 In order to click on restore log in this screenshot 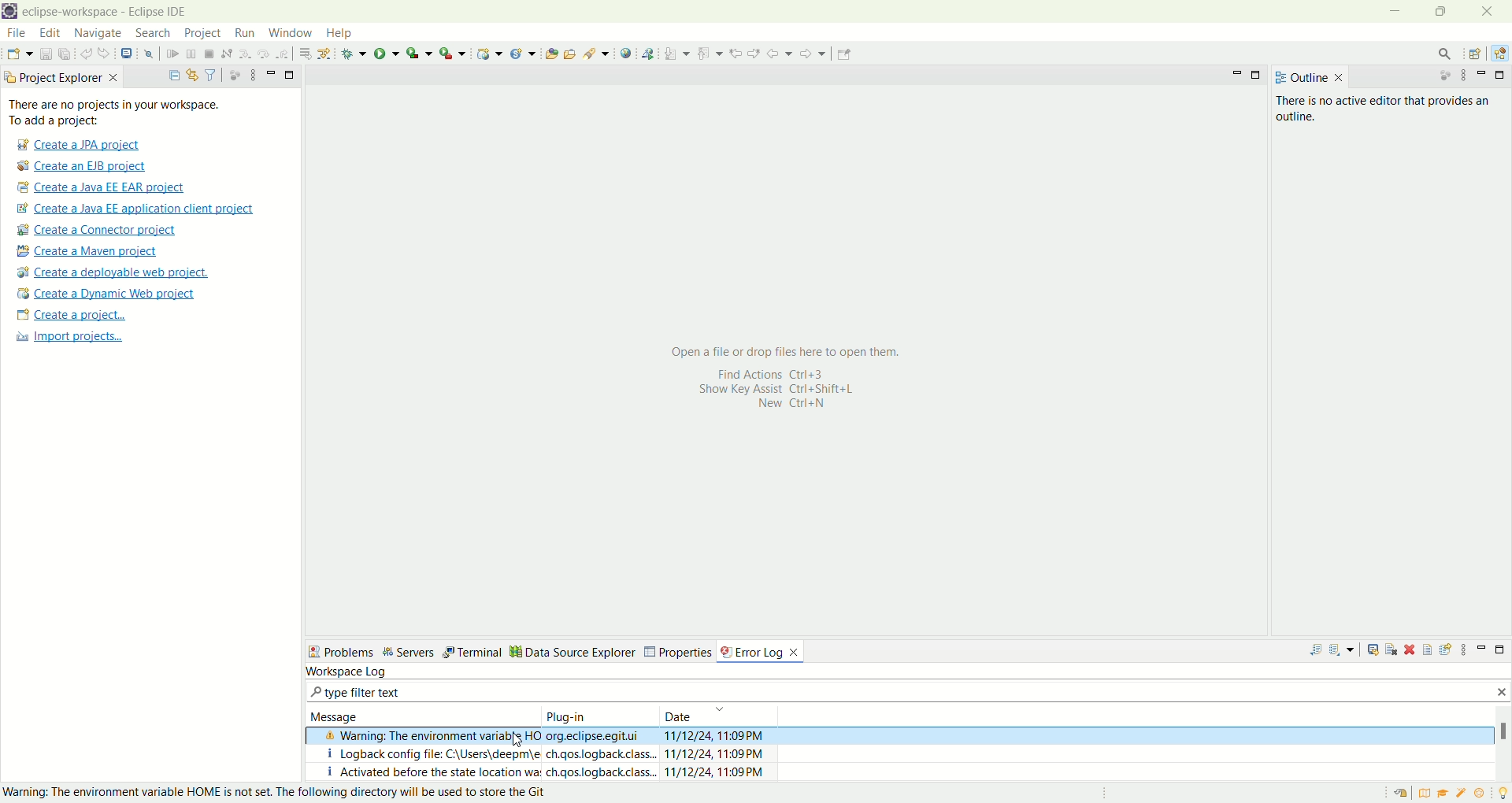, I will do `click(1447, 650)`.